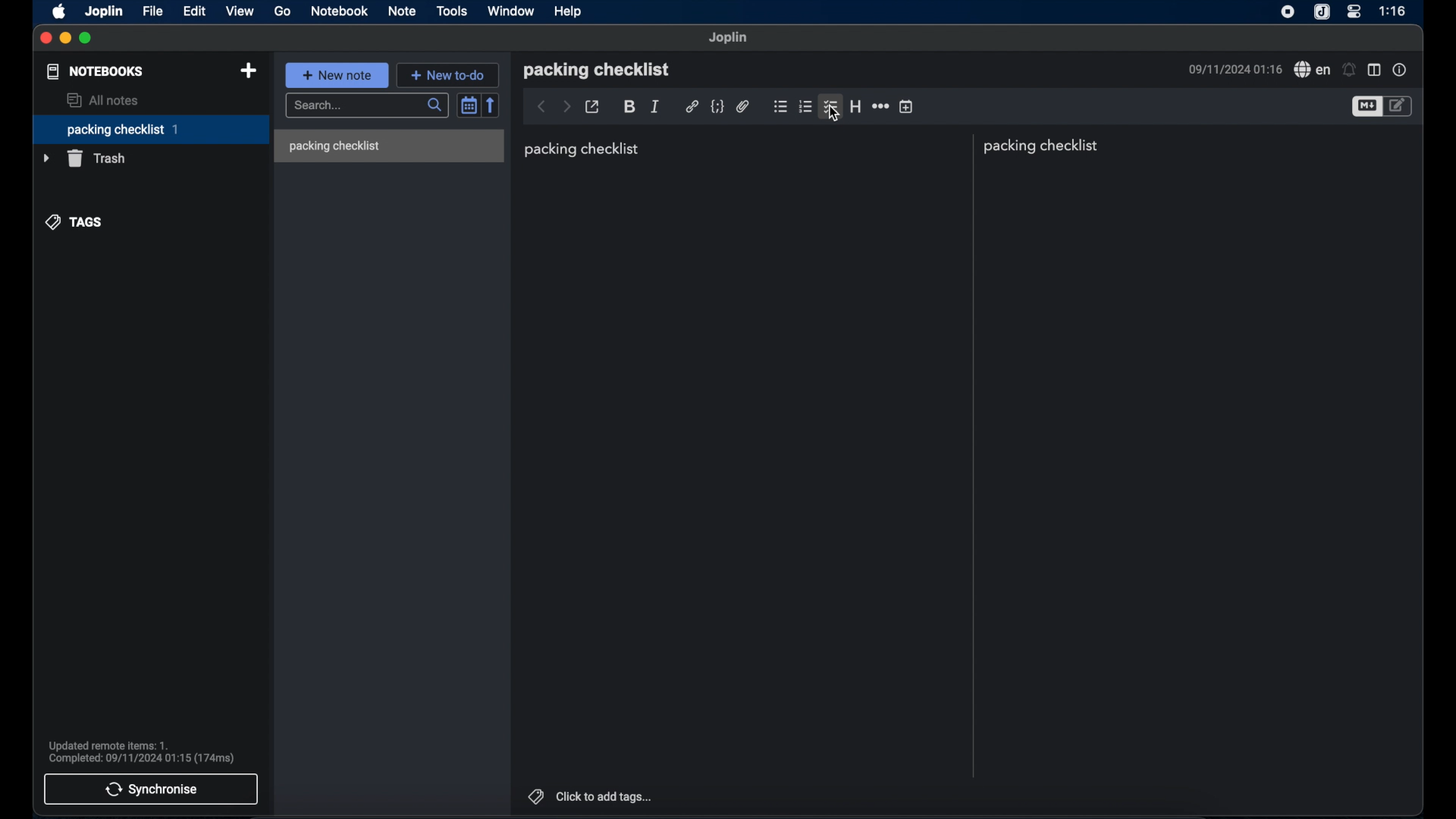 The image size is (1456, 819). Describe the element at coordinates (806, 108) in the screenshot. I see `numbered checklist` at that location.